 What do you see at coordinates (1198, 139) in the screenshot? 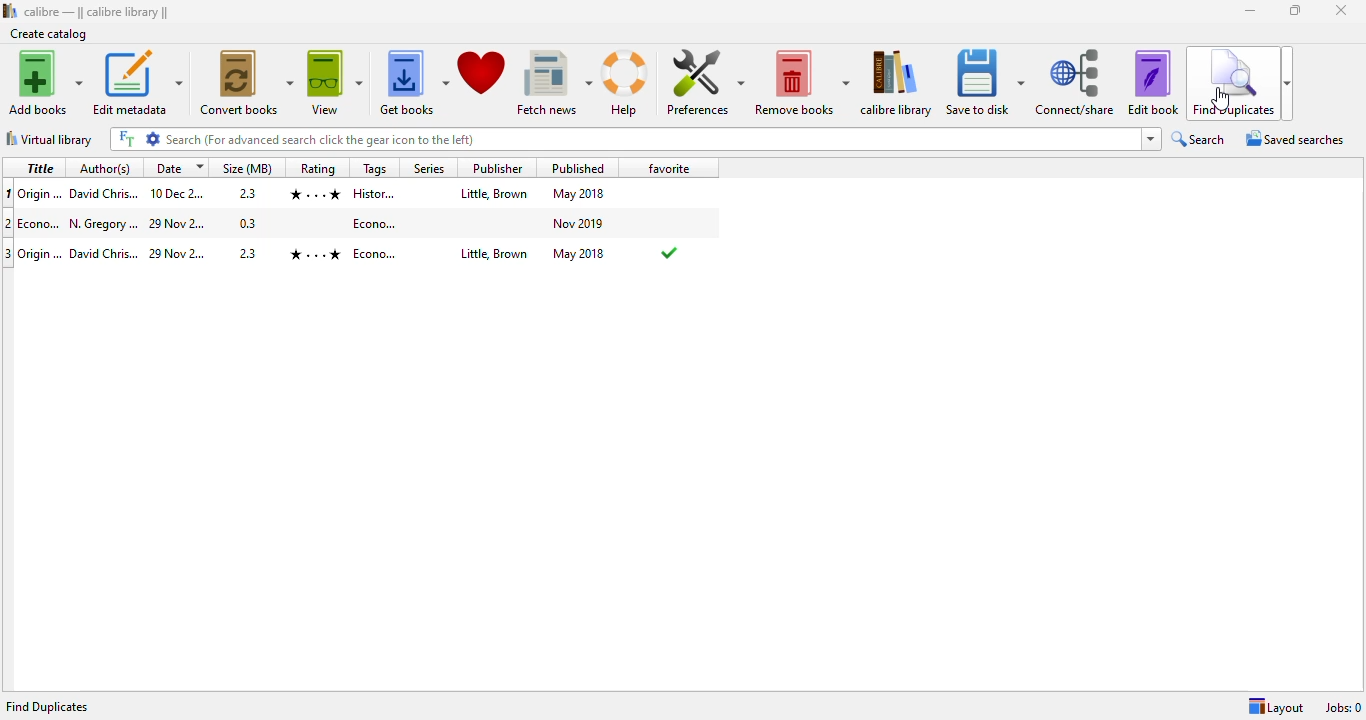
I see `search` at bounding box center [1198, 139].